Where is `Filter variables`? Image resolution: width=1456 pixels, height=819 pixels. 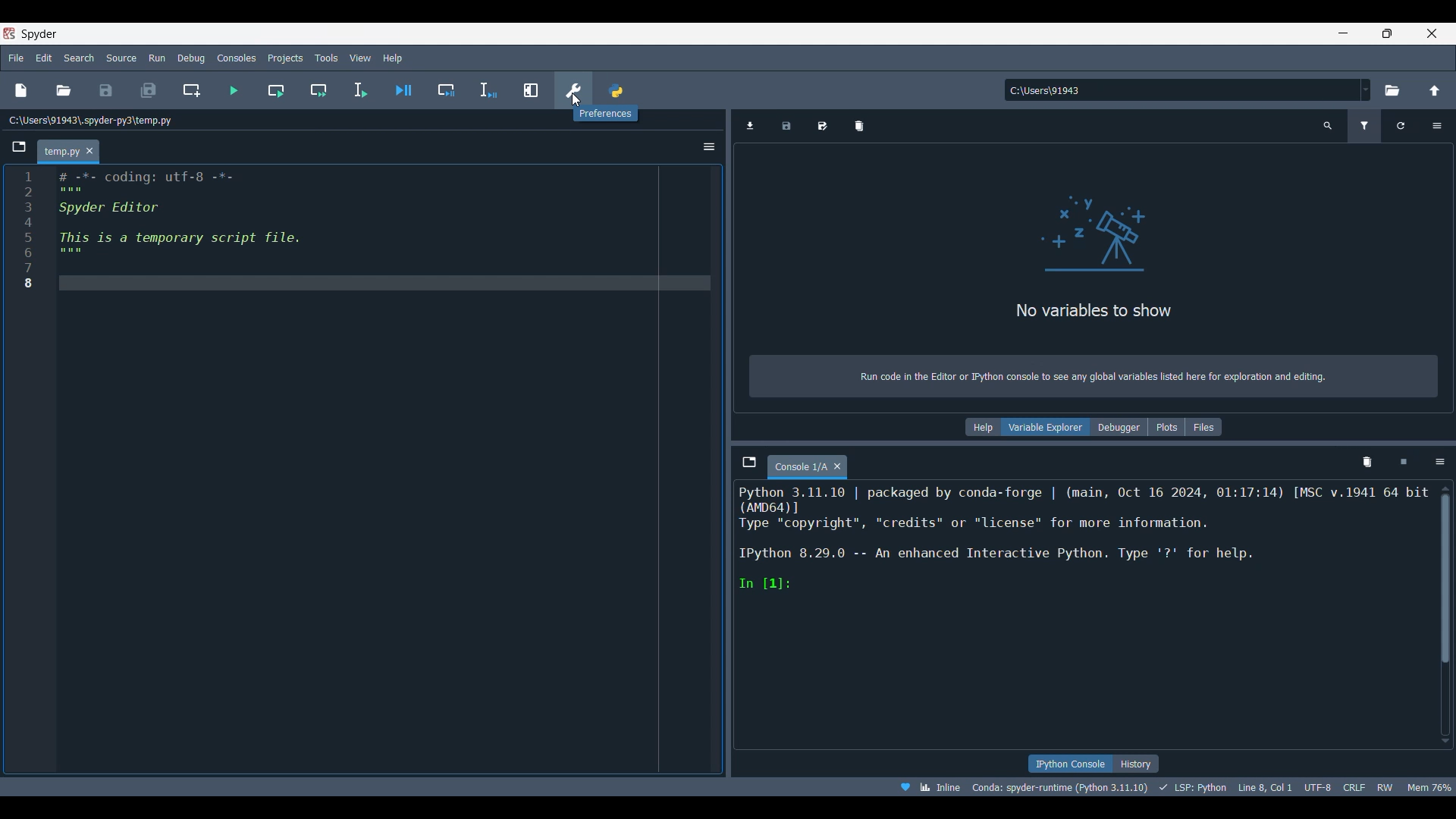 Filter variables is located at coordinates (1364, 126).